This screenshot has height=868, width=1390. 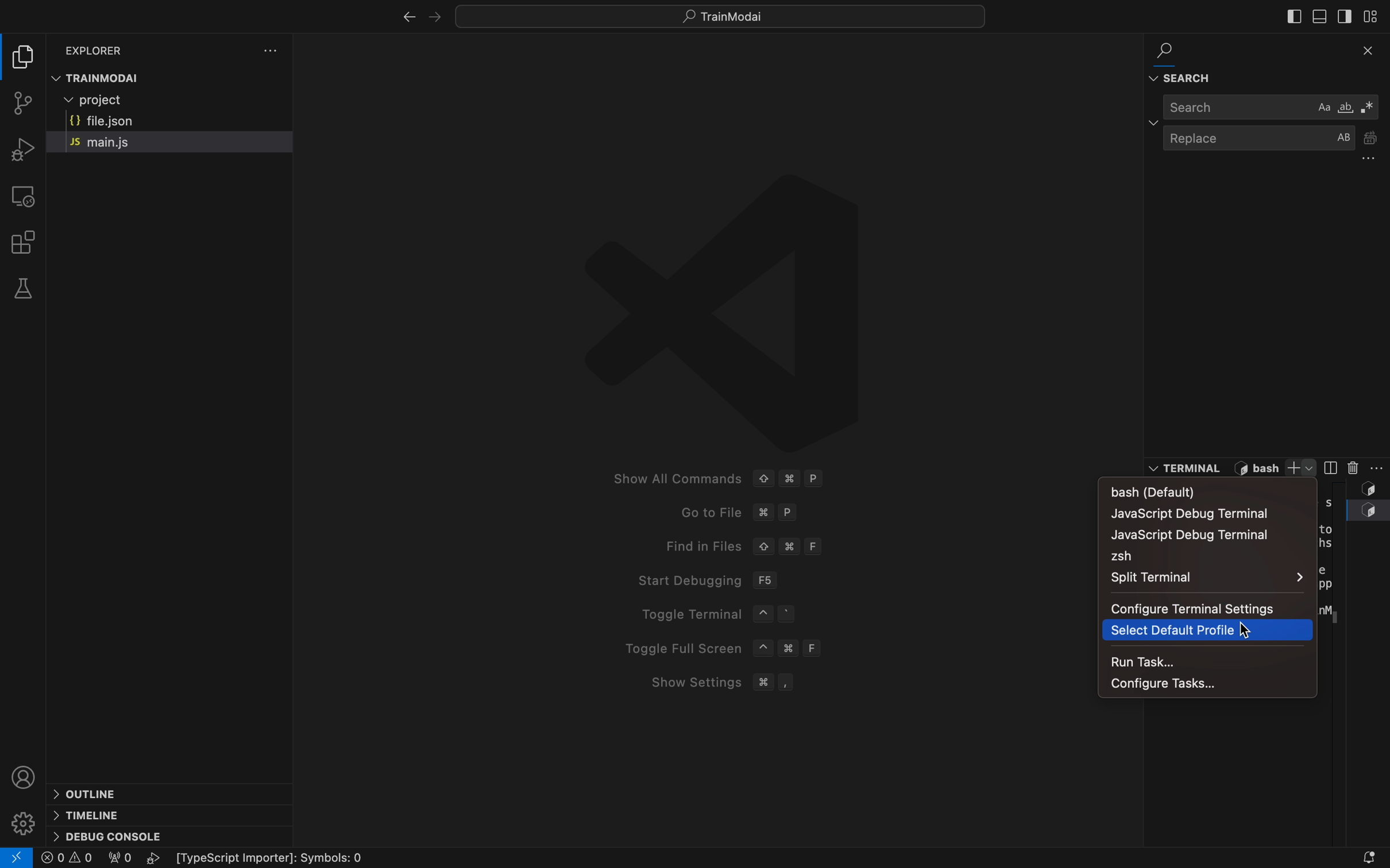 What do you see at coordinates (23, 817) in the screenshot?
I see `setting` at bounding box center [23, 817].